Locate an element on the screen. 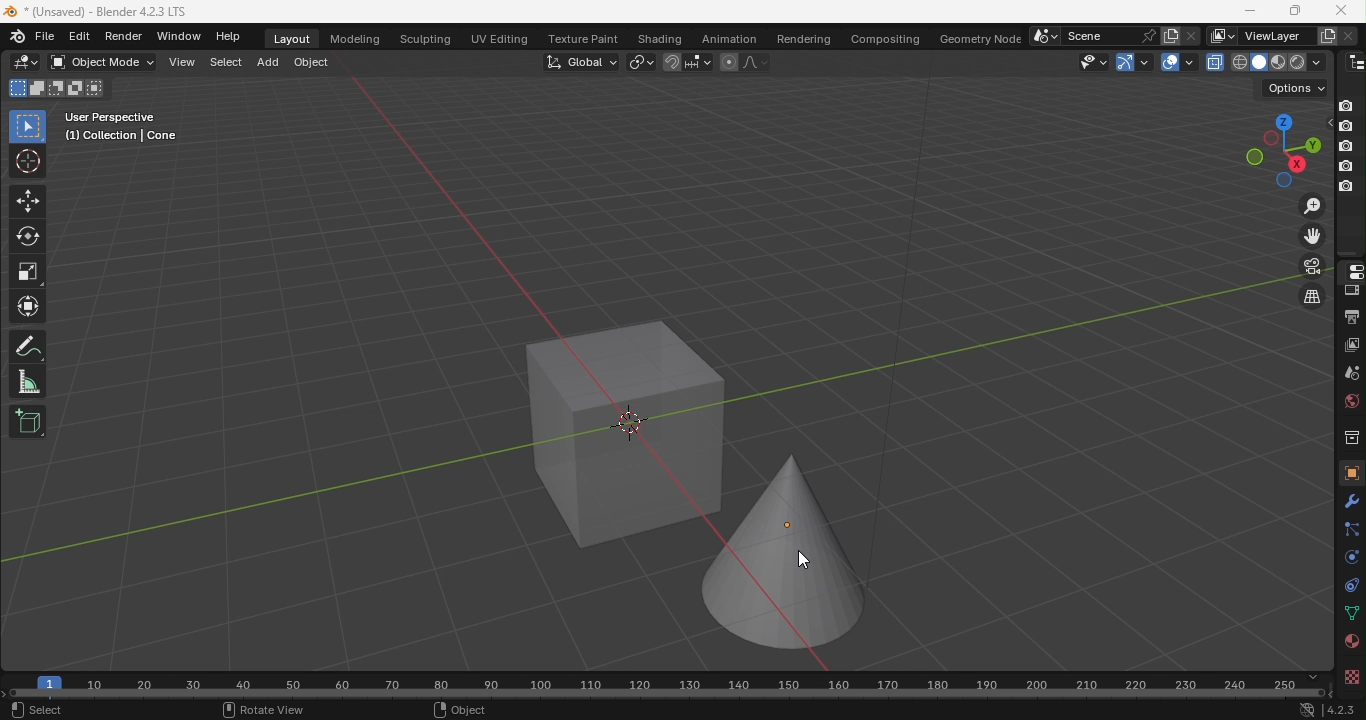 Image resolution: width=1366 pixels, height=720 pixels. Rotate the view is located at coordinates (1254, 157).